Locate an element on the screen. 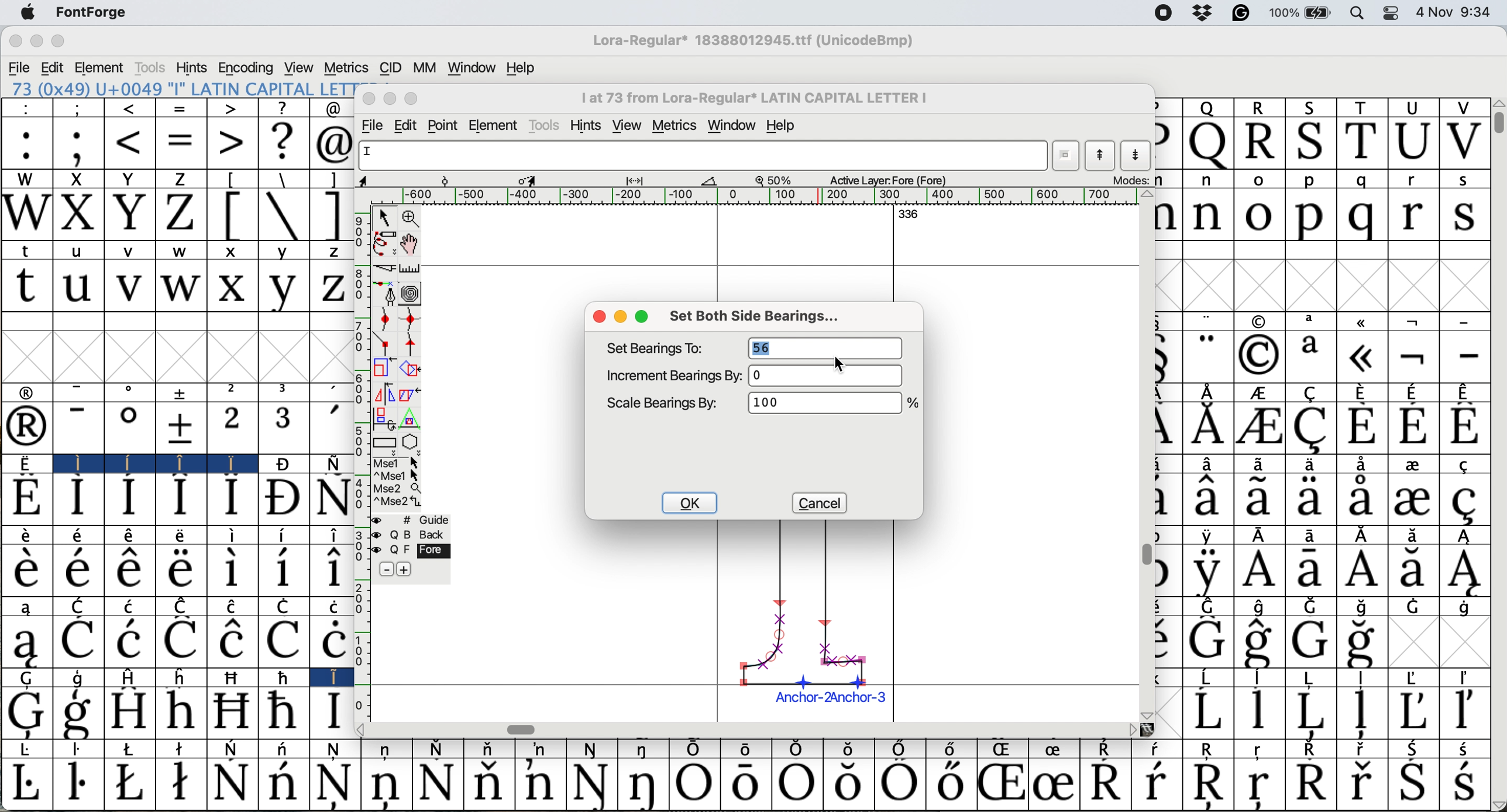  z is located at coordinates (329, 288).